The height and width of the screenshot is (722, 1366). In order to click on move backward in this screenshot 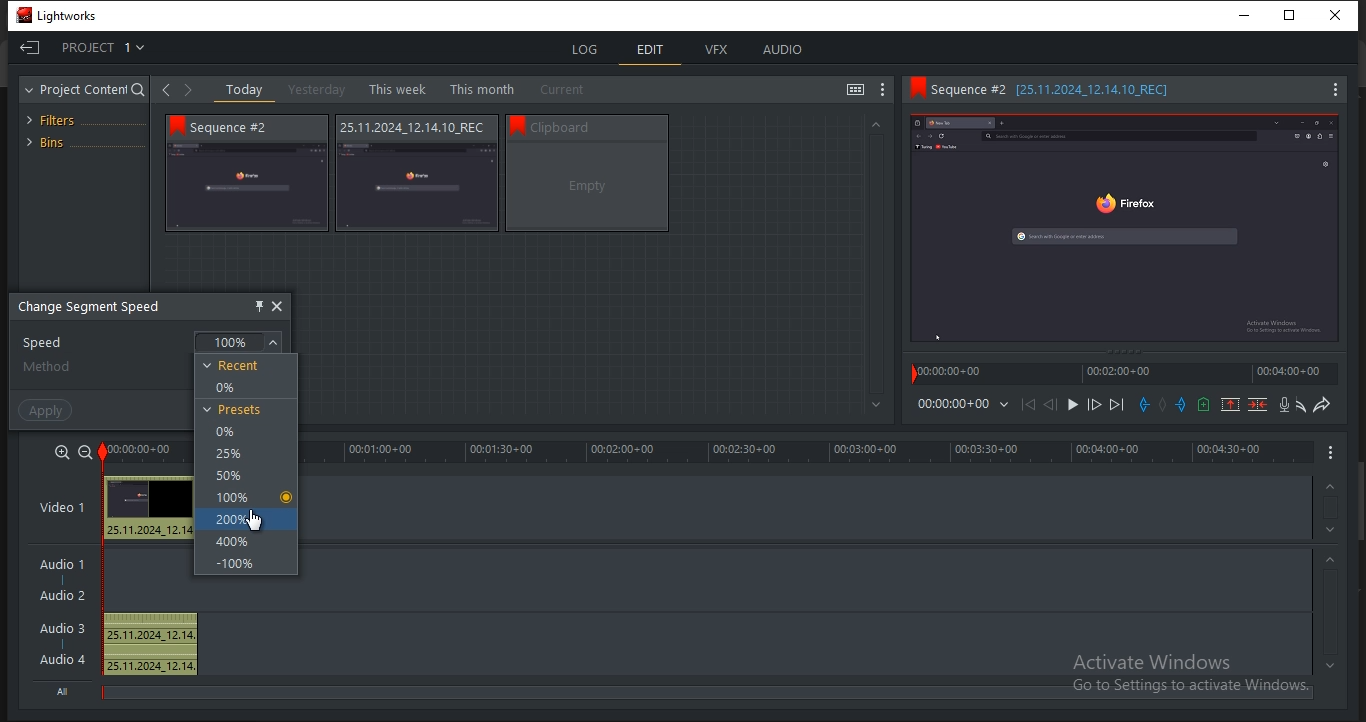, I will do `click(1028, 405)`.